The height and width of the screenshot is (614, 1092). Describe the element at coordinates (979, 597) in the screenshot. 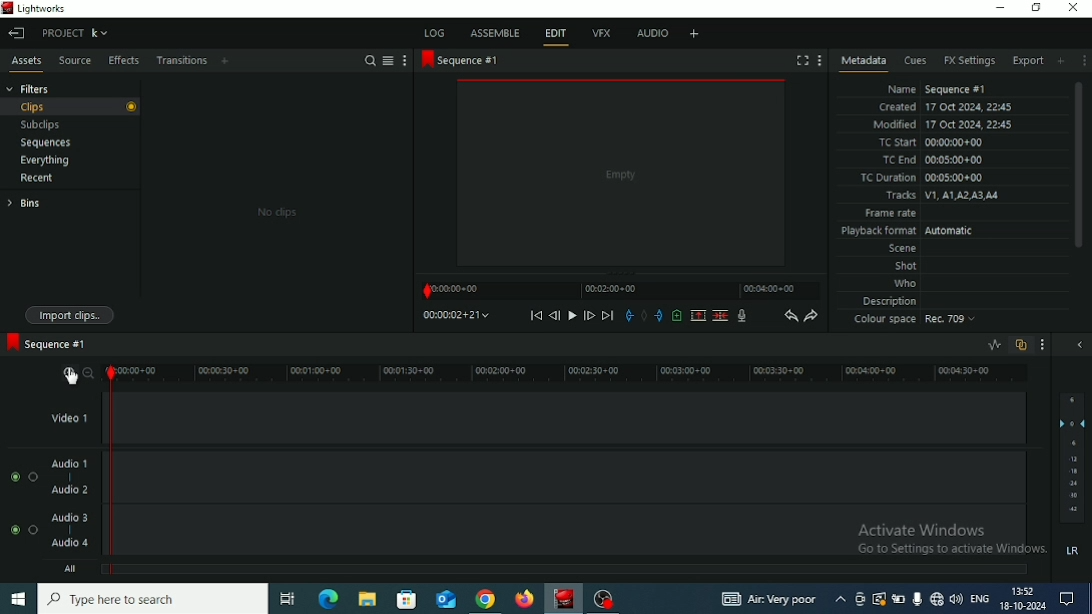

I see `Language` at that location.